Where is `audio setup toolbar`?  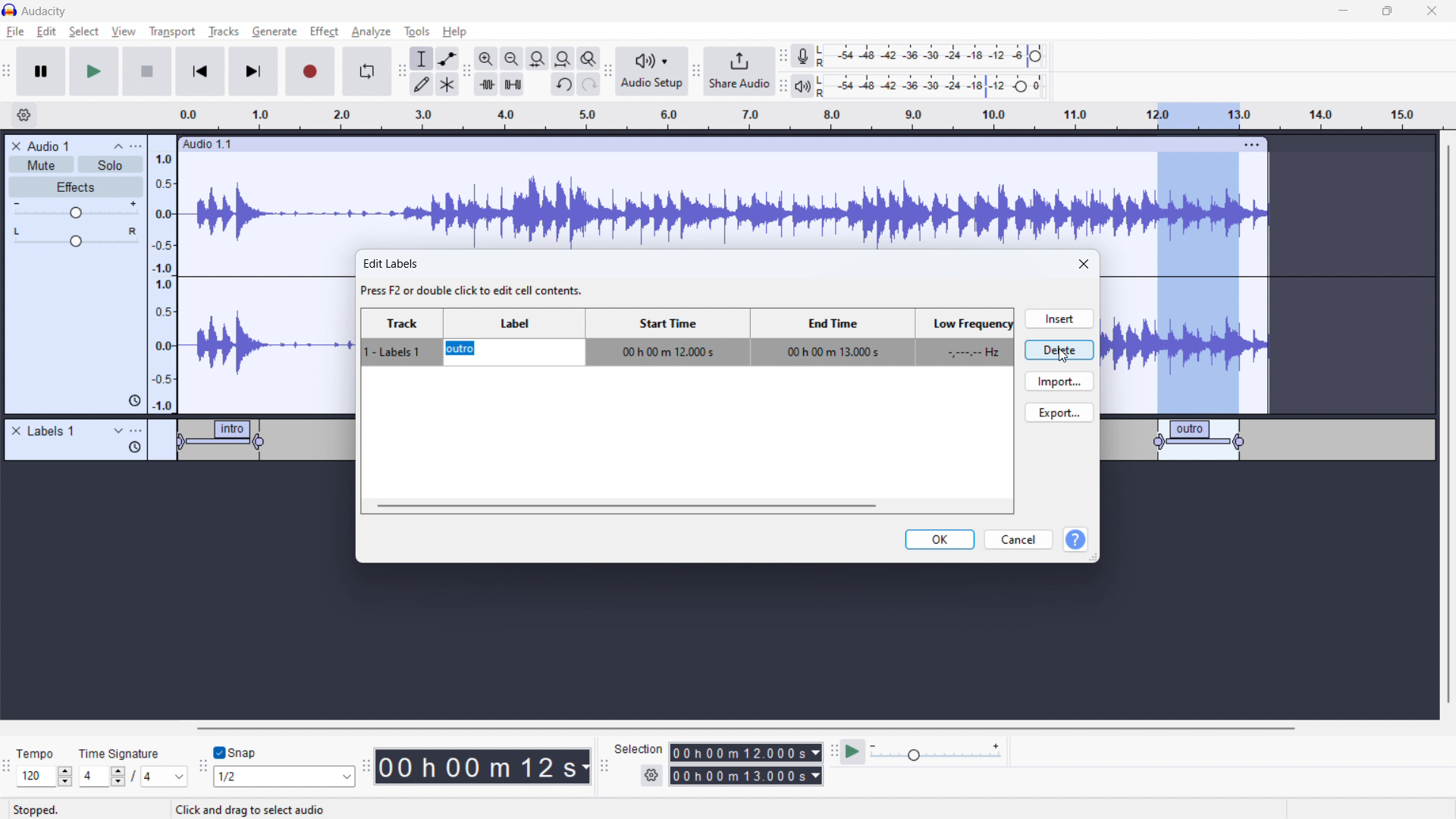 audio setup toolbar is located at coordinates (607, 71).